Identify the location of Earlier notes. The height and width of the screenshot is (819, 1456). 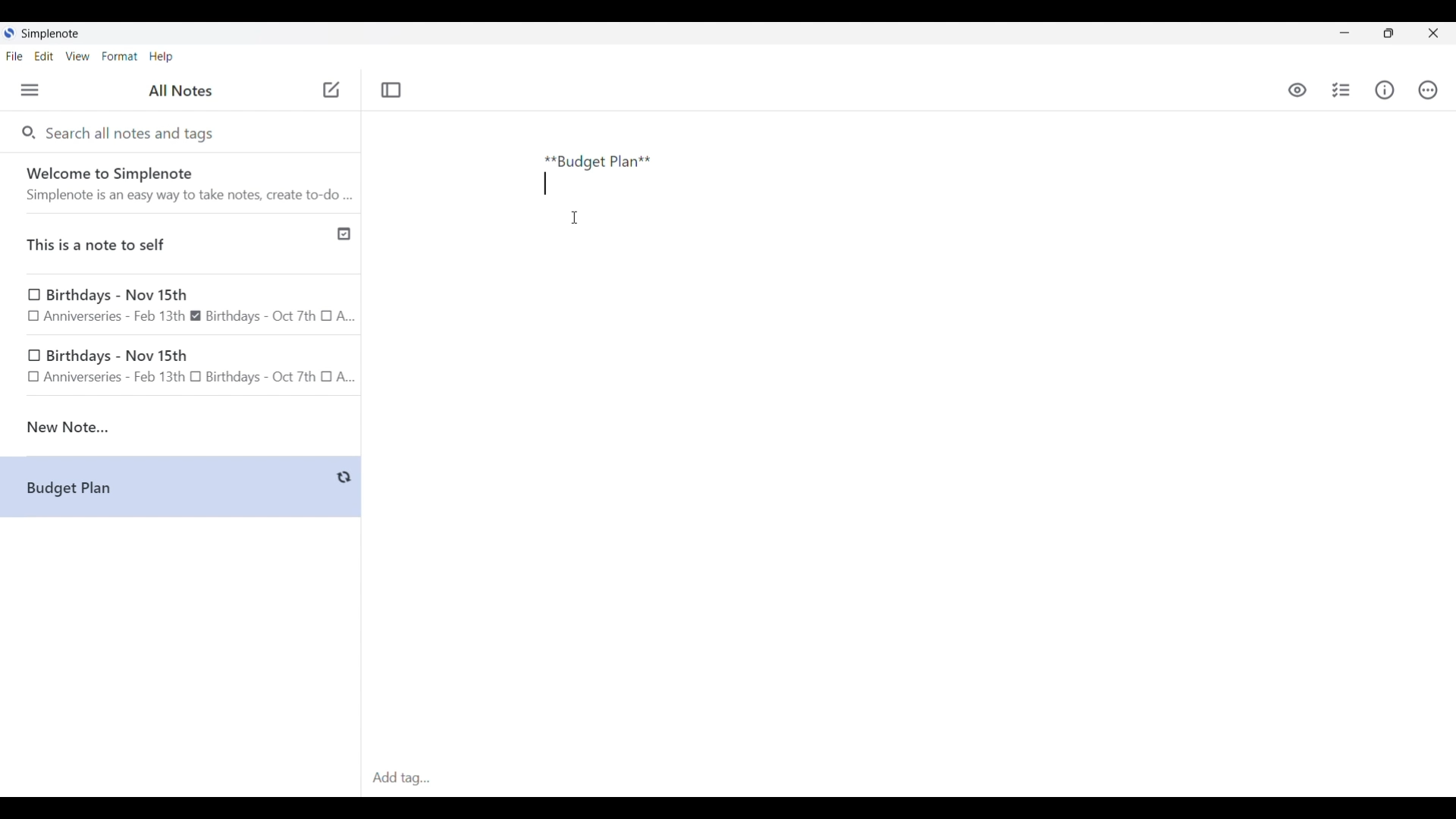
(181, 305).